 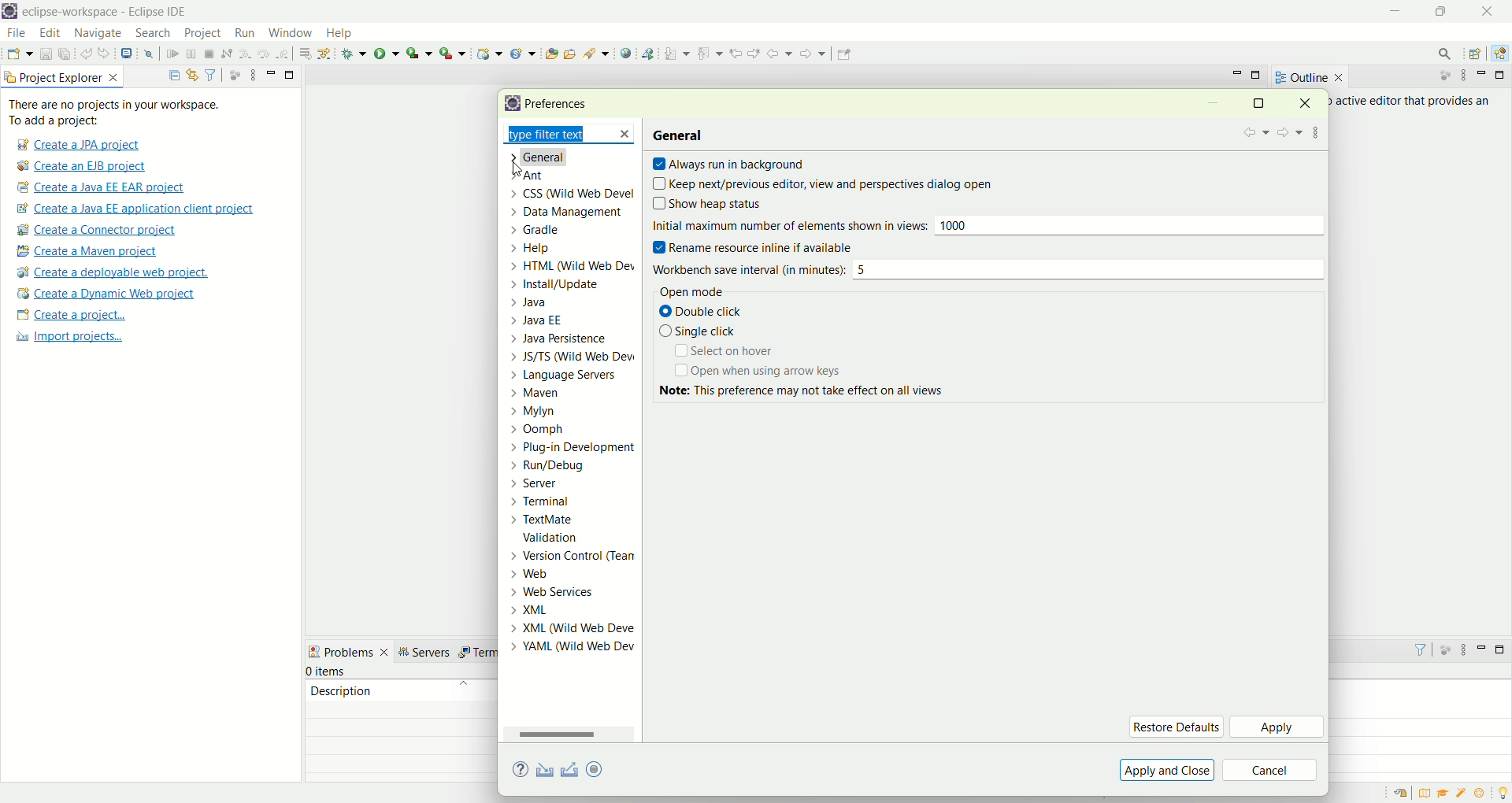 What do you see at coordinates (542, 771) in the screenshot?
I see `import` at bounding box center [542, 771].